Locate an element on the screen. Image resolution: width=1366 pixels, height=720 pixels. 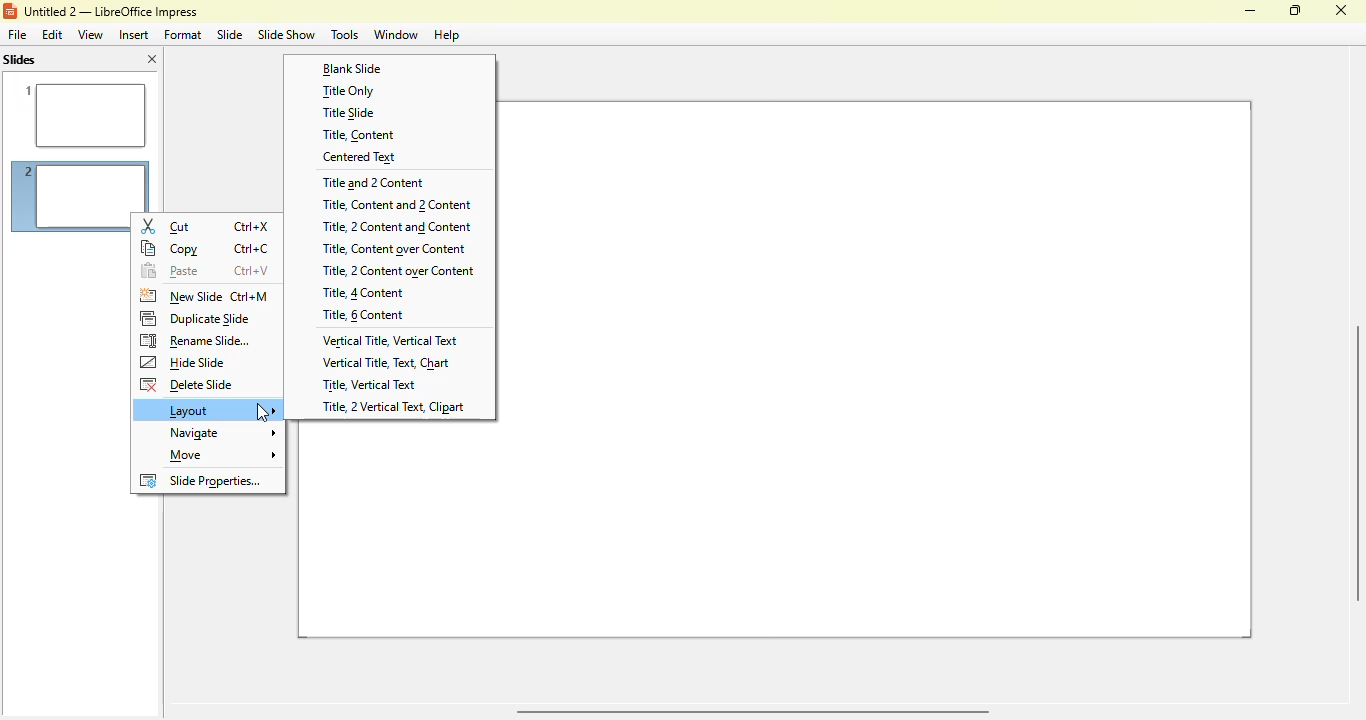
verical scroll bar is located at coordinates (1353, 463).